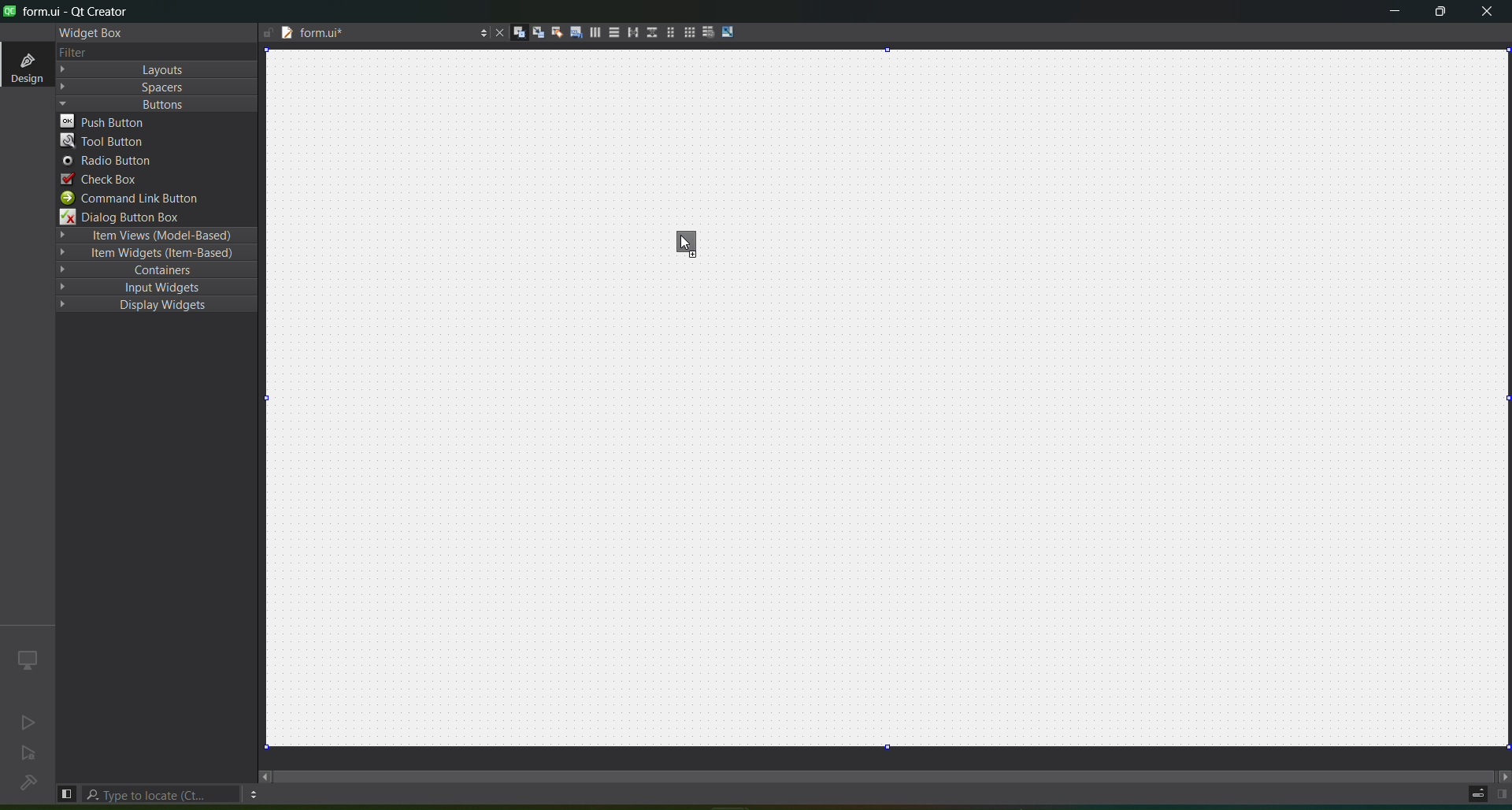 Image resolution: width=1512 pixels, height=810 pixels. Describe the element at coordinates (78, 51) in the screenshot. I see `text` at that location.